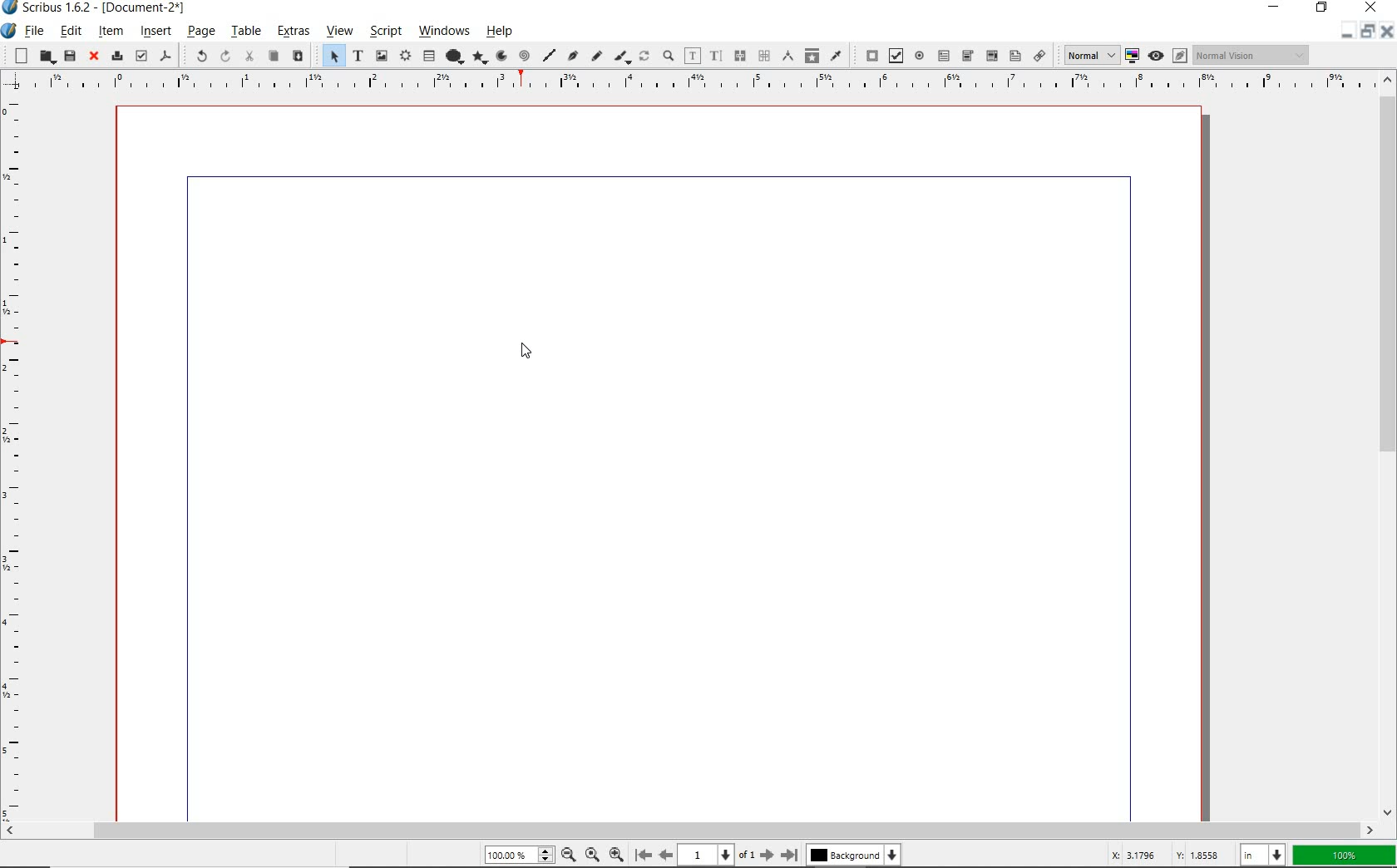  Describe the element at coordinates (856, 855) in the screenshot. I see `Background` at that location.